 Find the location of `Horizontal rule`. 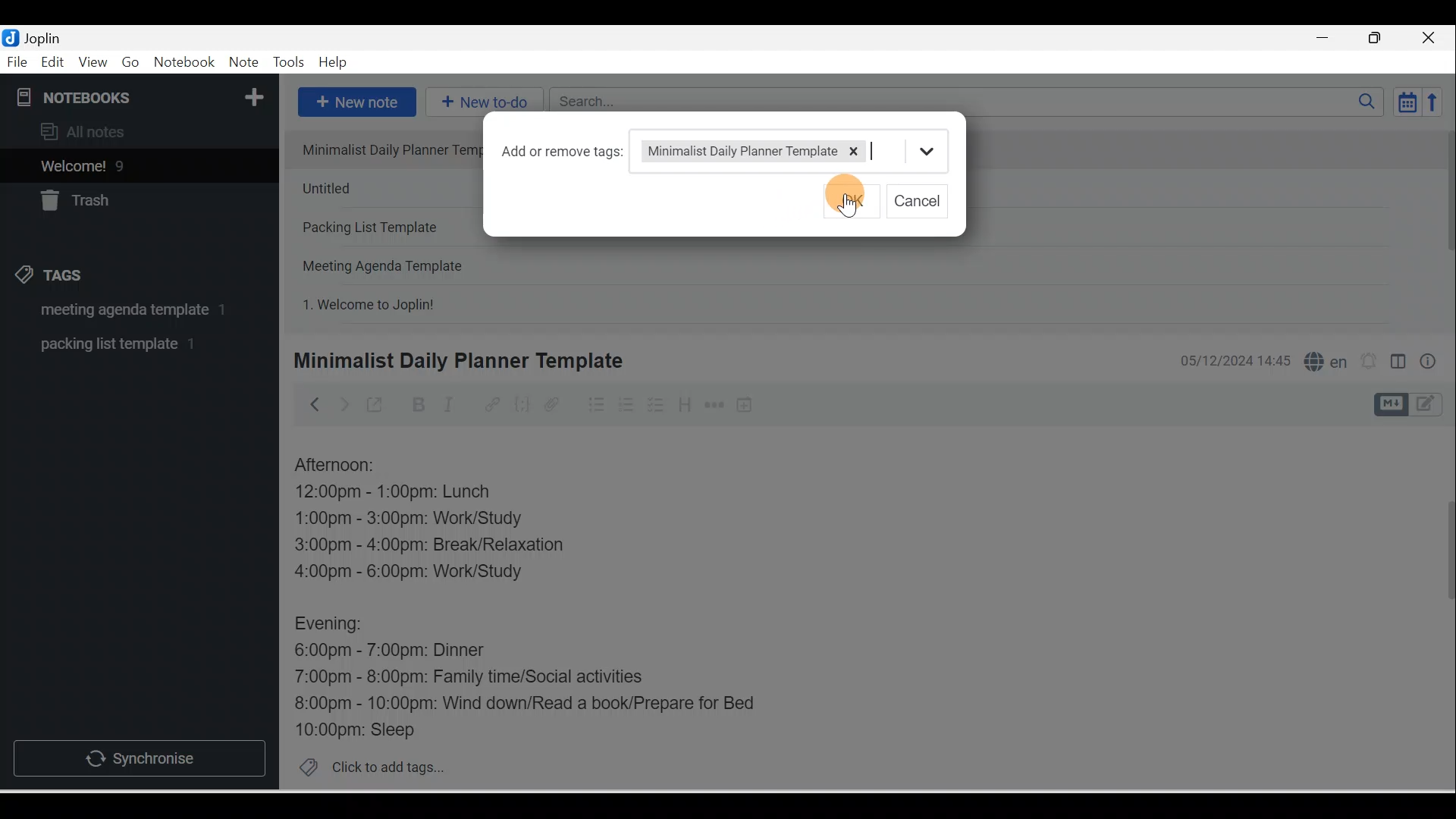

Horizontal rule is located at coordinates (716, 405).